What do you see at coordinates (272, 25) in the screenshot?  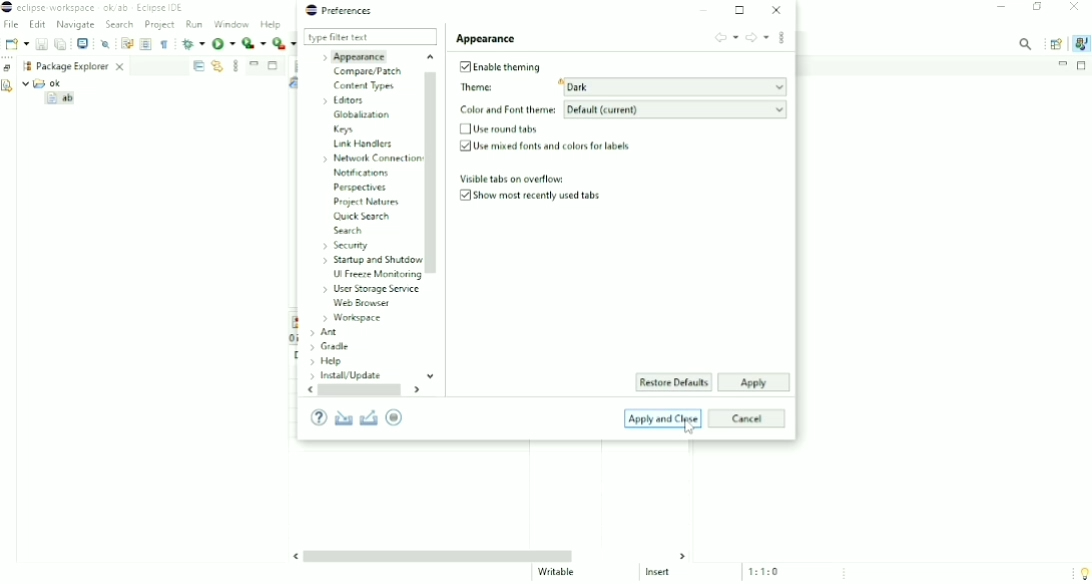 I see `Help` at bounding box center [272, 25].